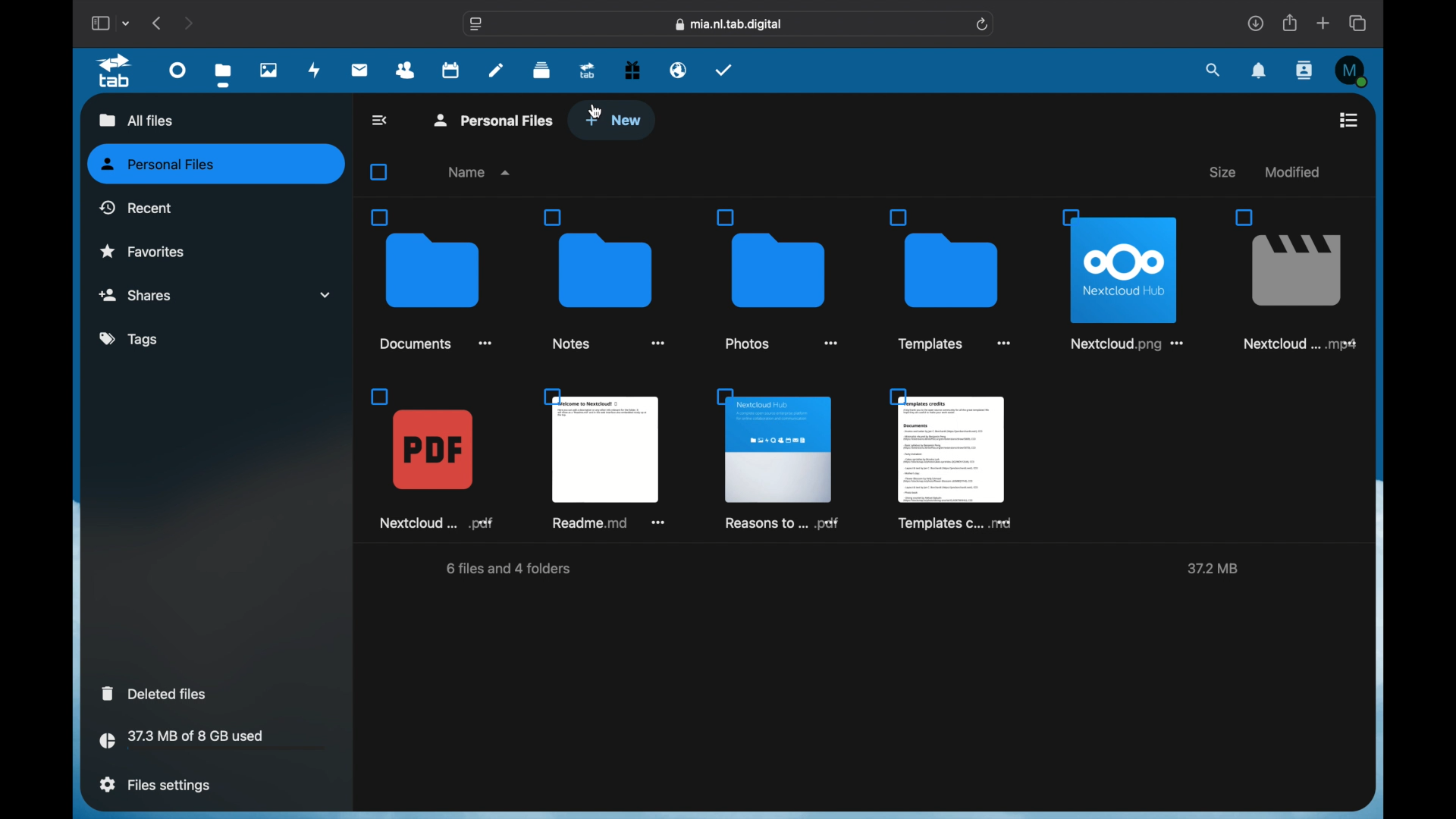 Image resolution: width=1456 pixels, height=819 pixels. Describe the element at coordinates (1291, 171) in the screenshot. I see `modified` at that location.